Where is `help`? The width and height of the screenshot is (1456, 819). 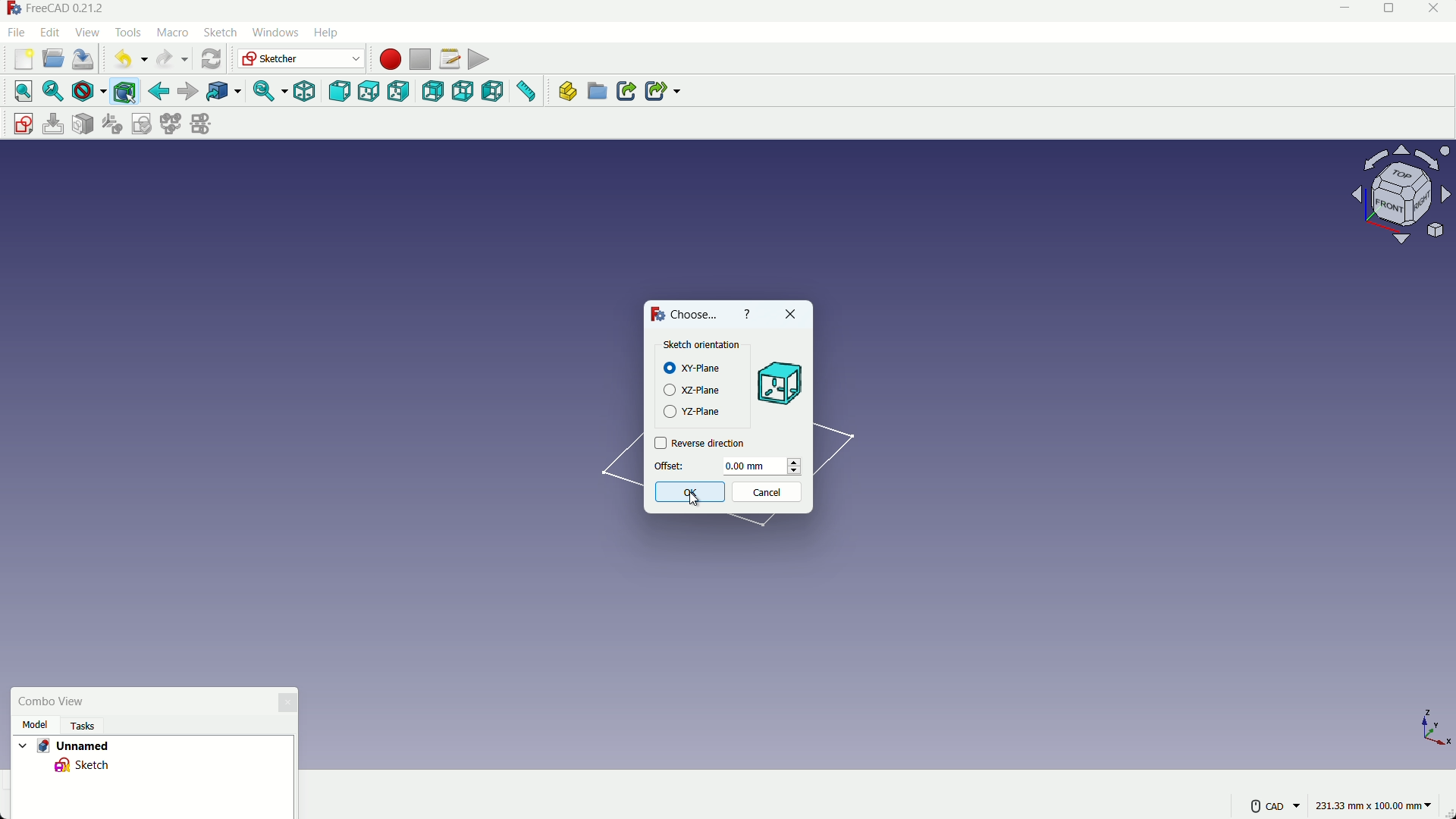 help is located at coordinates (745, 315).